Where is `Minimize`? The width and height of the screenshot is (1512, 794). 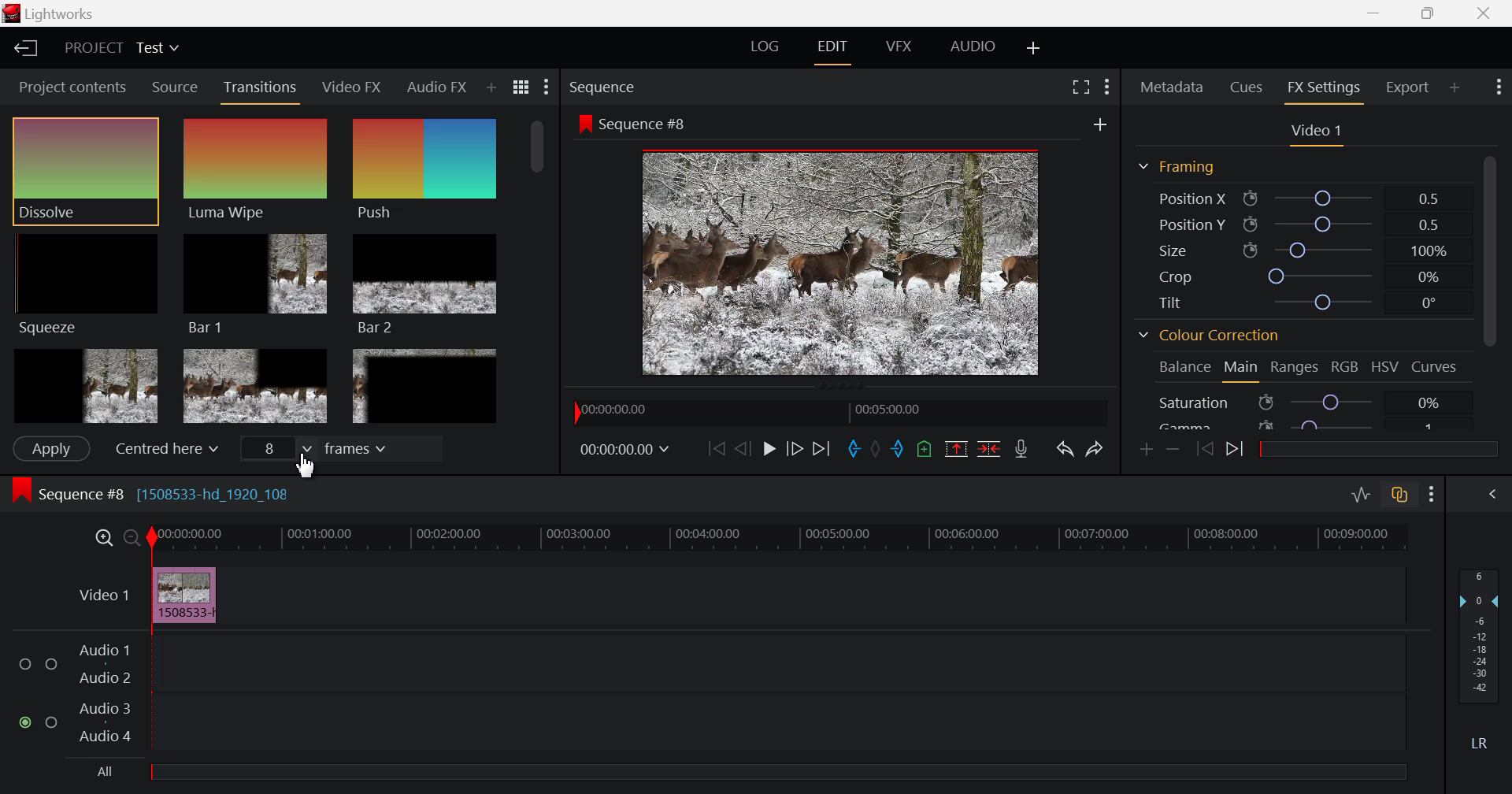
Minimize is located at coordinates (1430, 13).